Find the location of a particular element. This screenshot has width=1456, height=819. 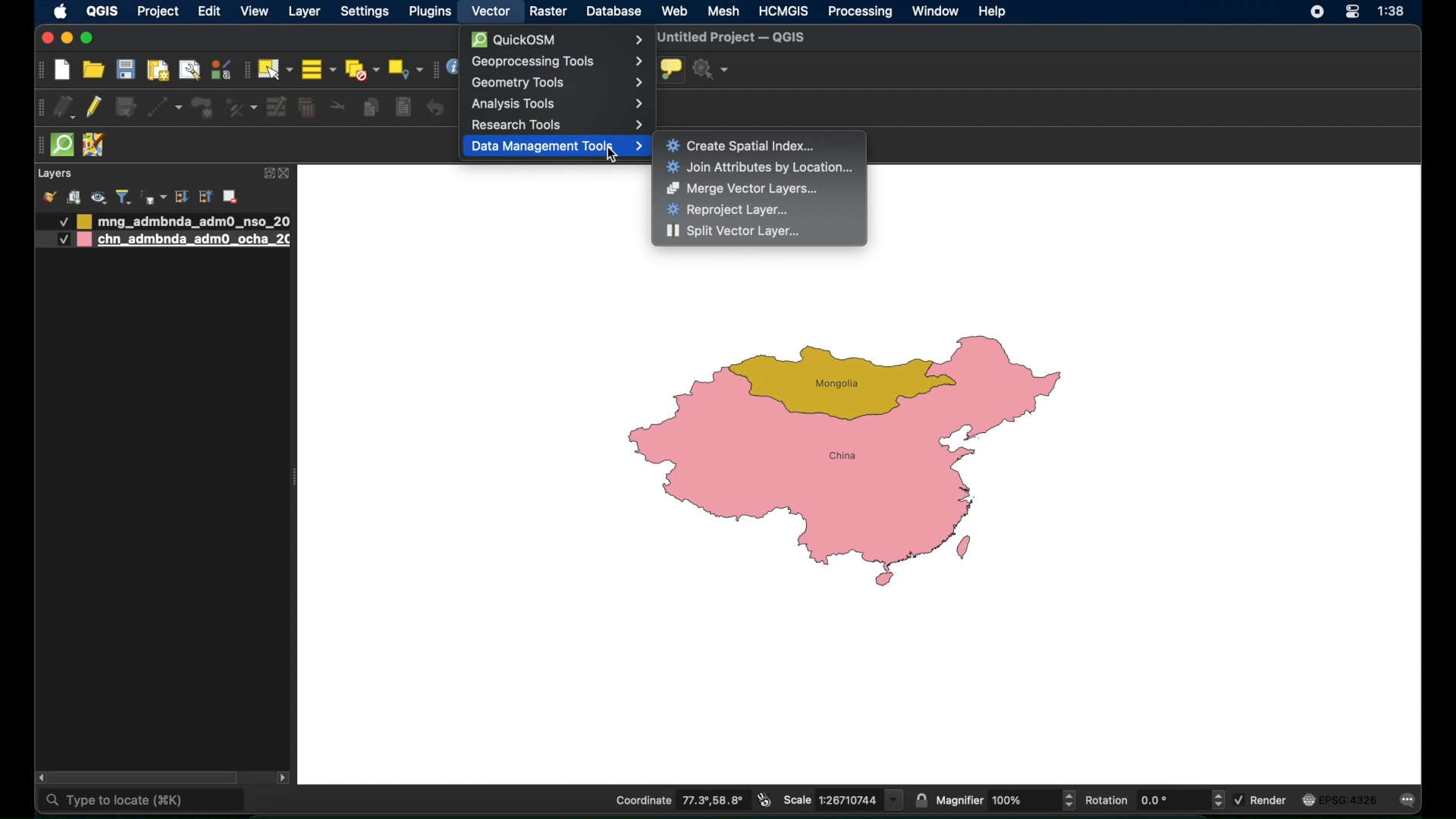

project is located at coordinates (156, 13).